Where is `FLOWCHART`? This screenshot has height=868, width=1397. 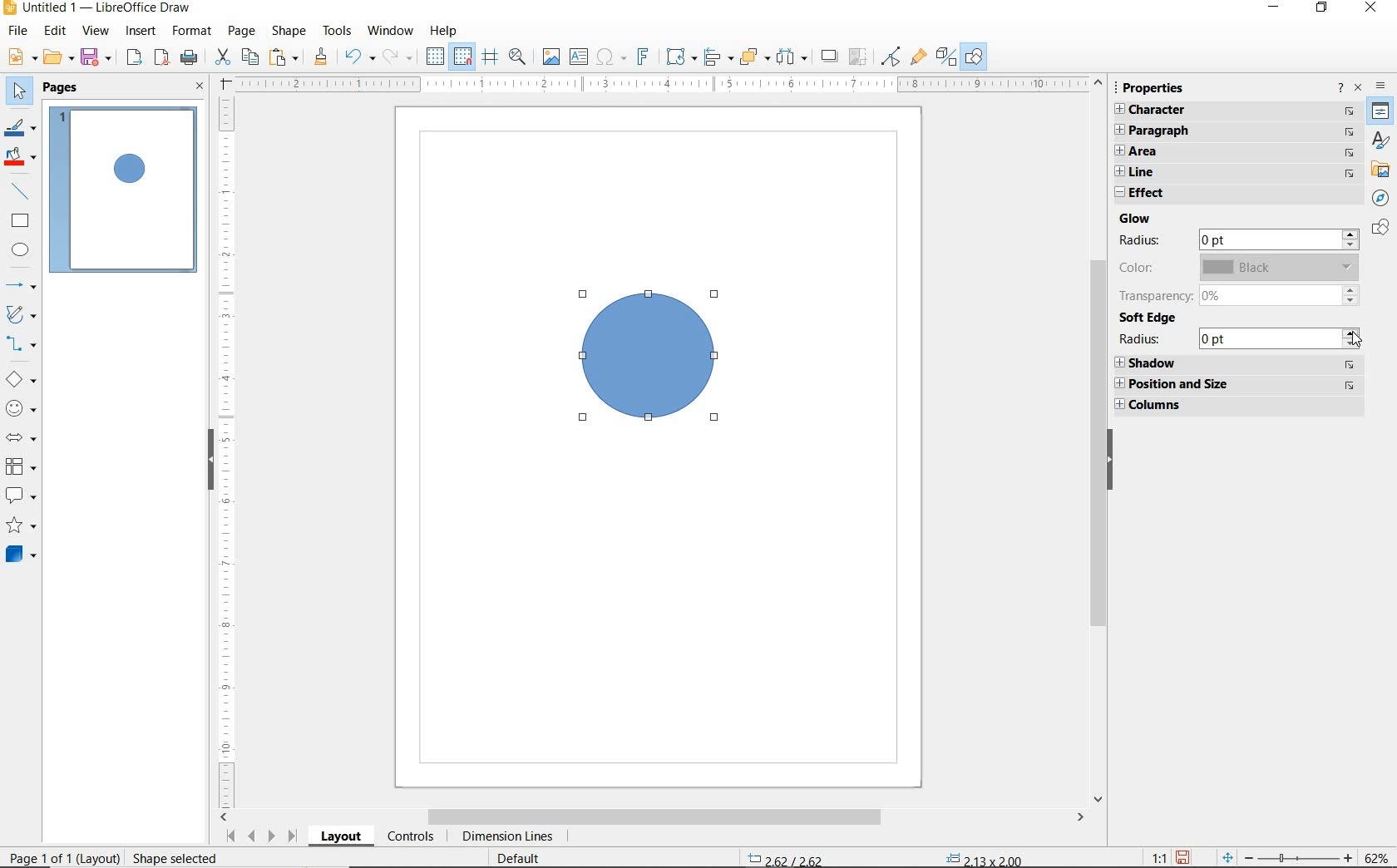 FLOWCHART is located at coordinates (20, 467).